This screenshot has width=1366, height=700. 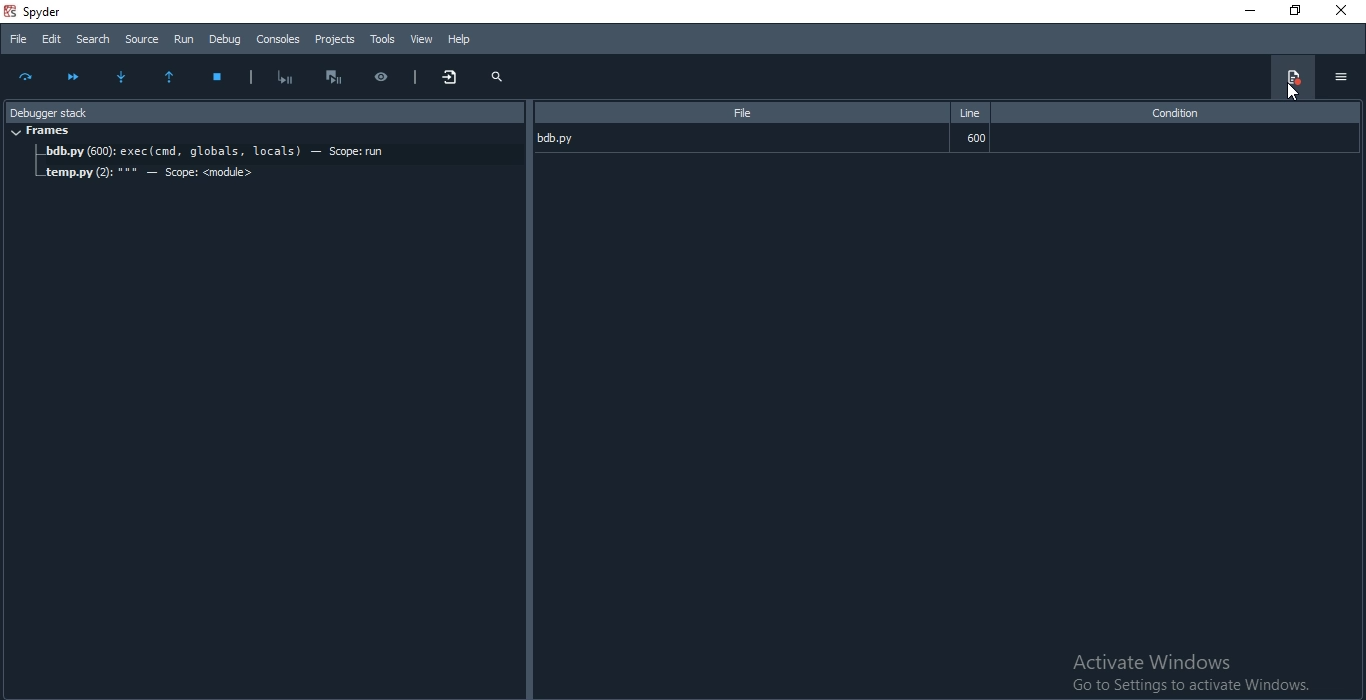 What do you see at coordinates (574, 136) in the screenshot?
I see `bdb.py` at bounding box center [574, 136].